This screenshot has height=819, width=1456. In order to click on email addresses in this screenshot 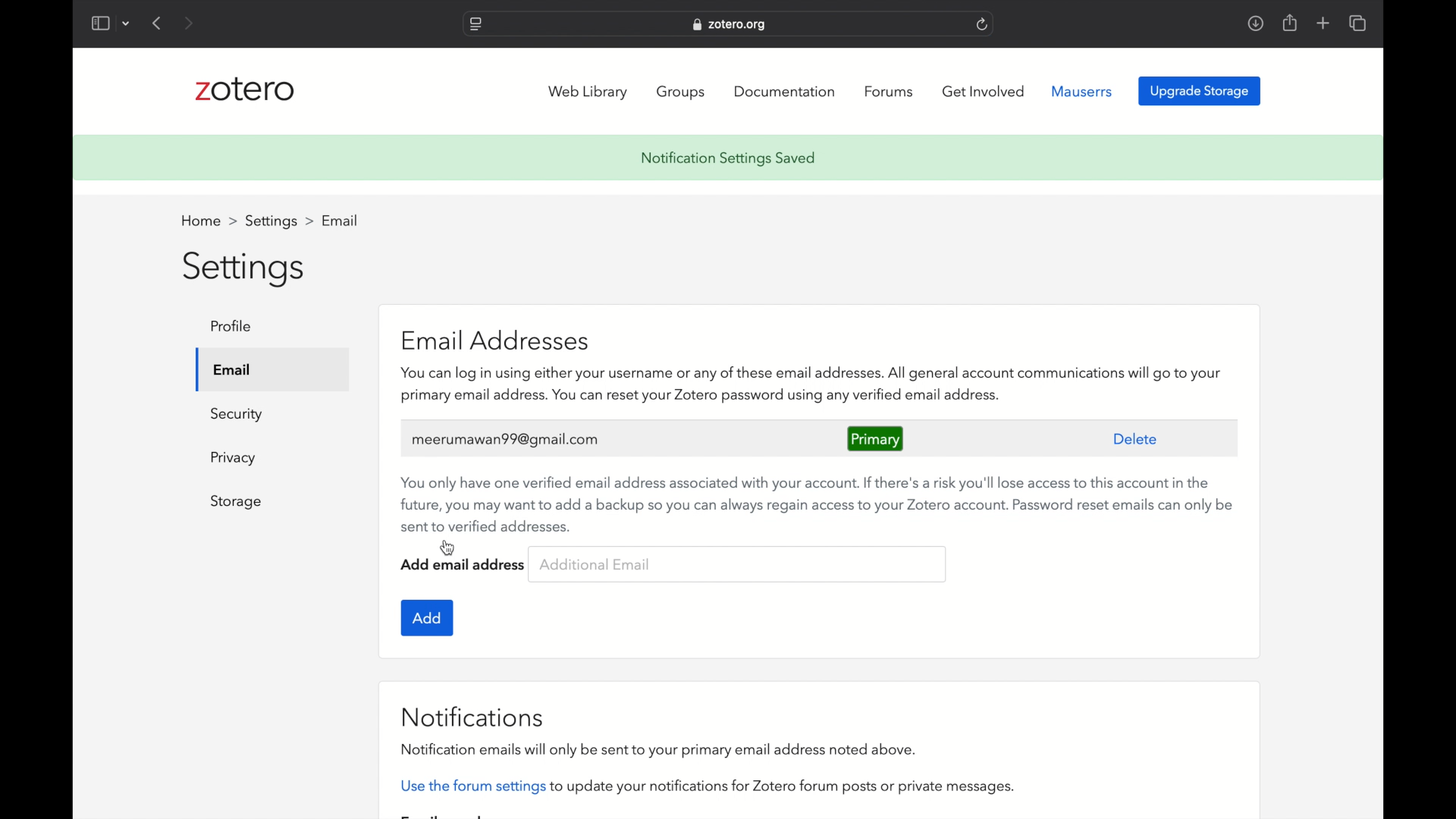, I will do `click(494, 339)`.